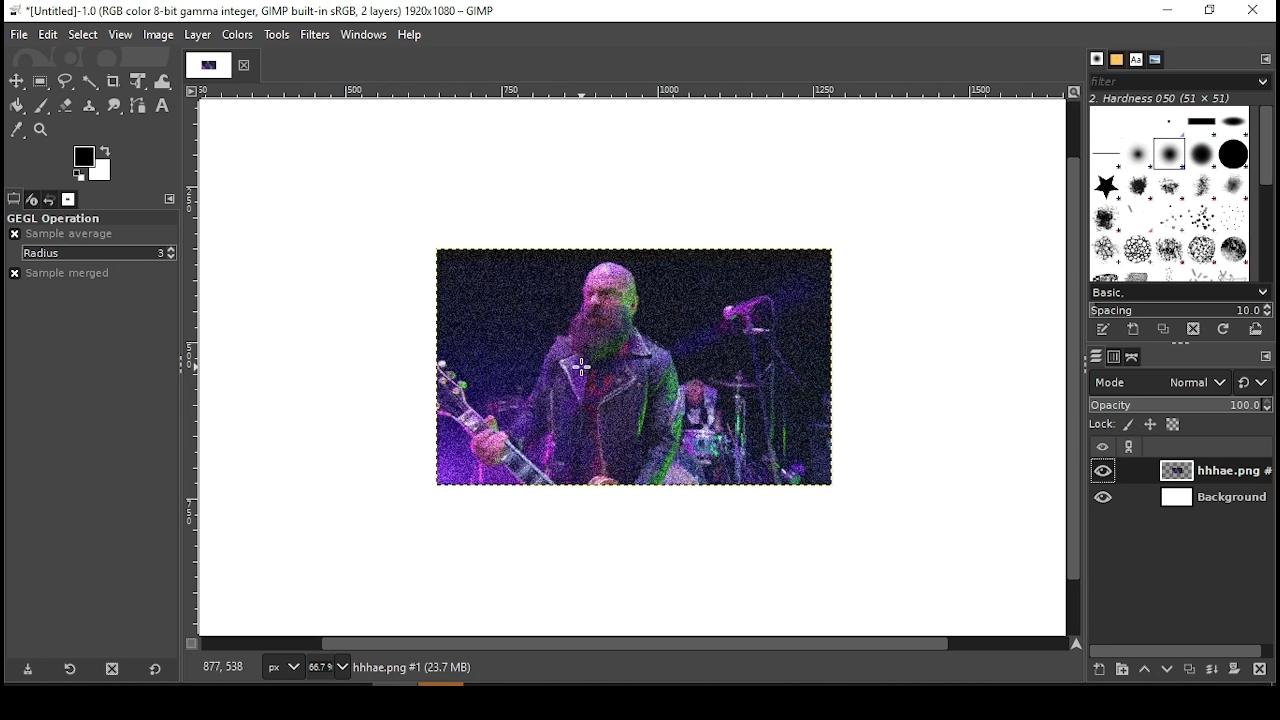  What do you see at coordinates (1256, 331) in the screenshot?
I see `open brush as image` at bounding box center [1256, 331].